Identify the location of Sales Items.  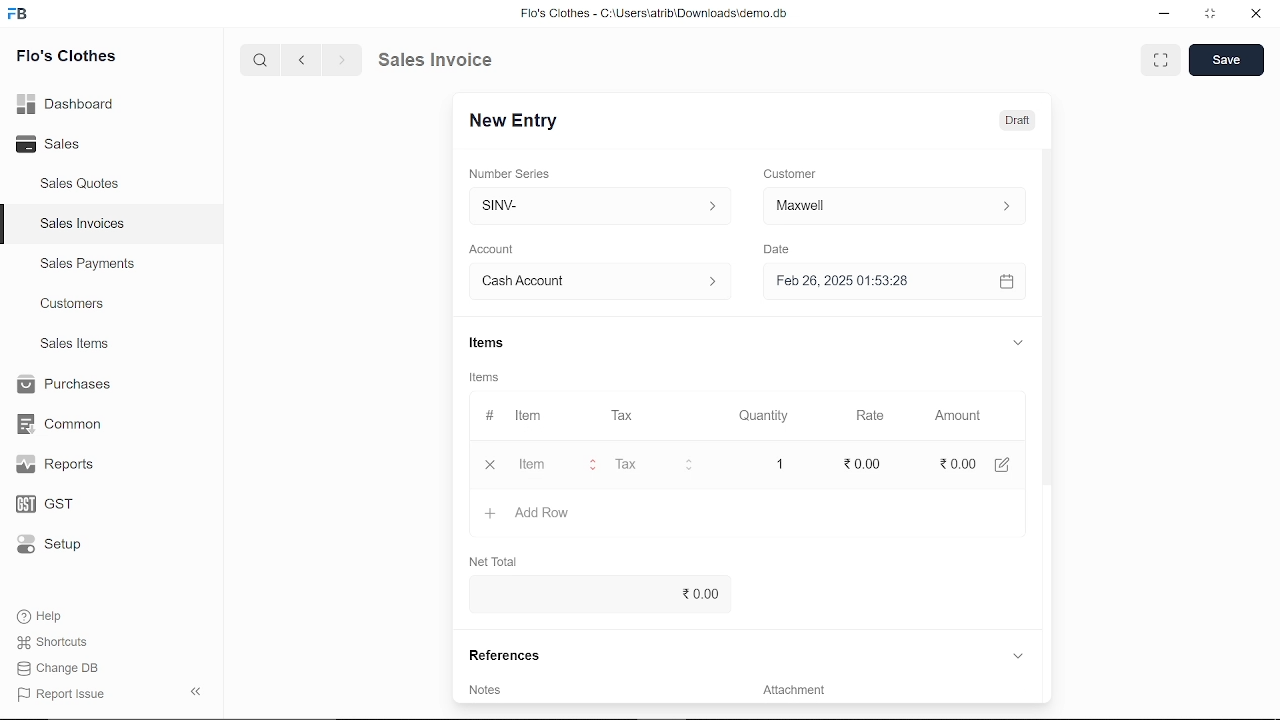
(74, 346).